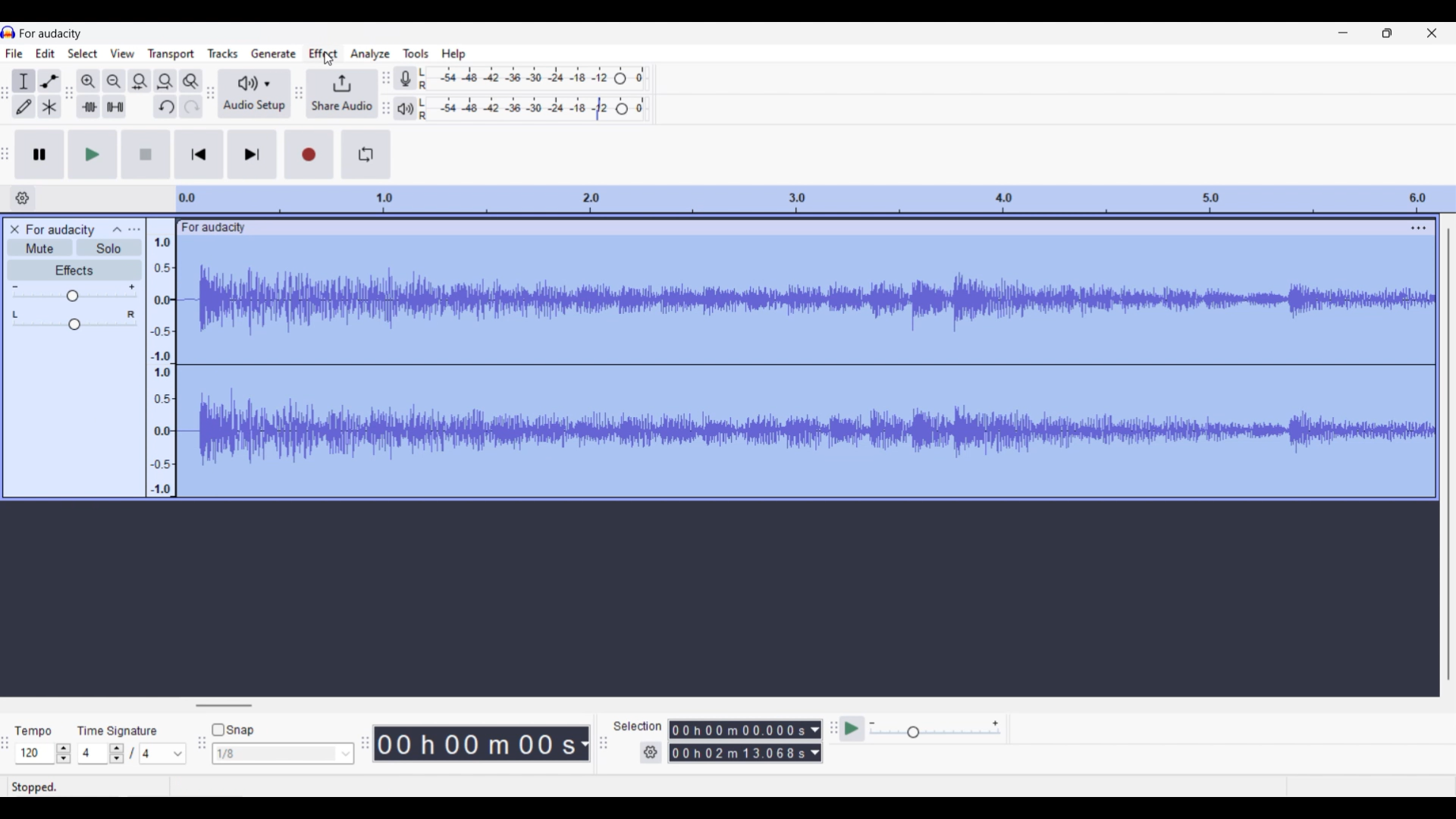  I want to click on Software logo, so click(8, 33).